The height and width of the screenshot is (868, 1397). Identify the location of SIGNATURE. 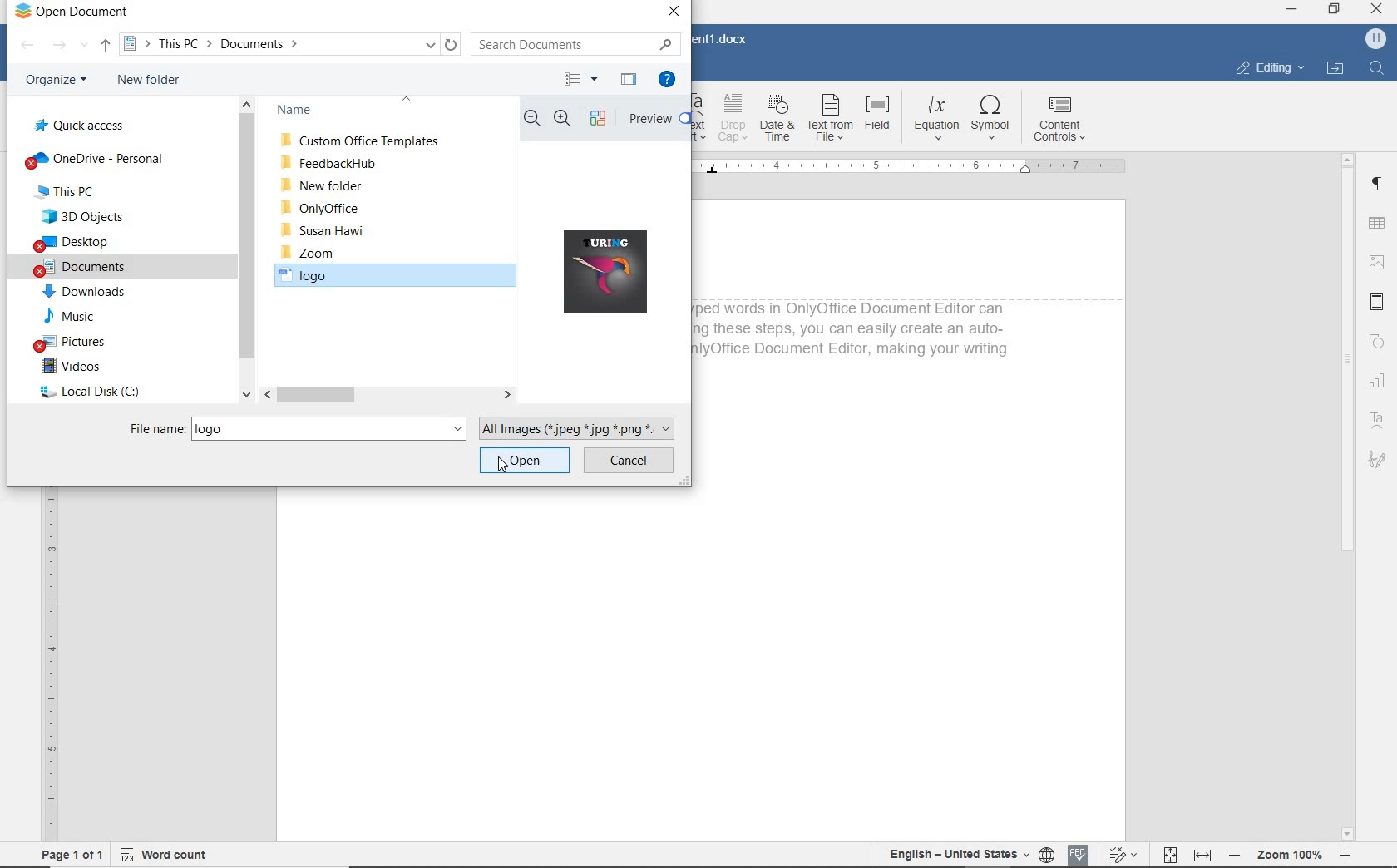
(1379, 462).